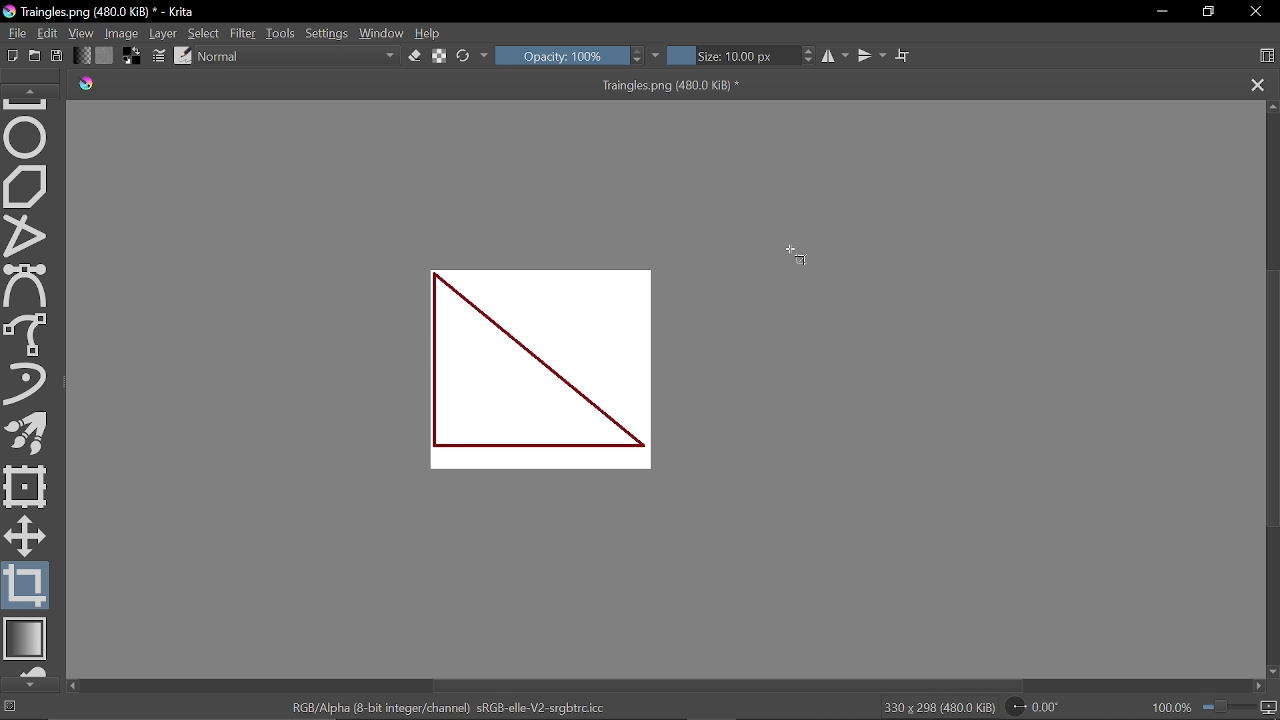 This screenshot has height=720, width=1280. I want to click on Preserve alpha, so click(439, 57).